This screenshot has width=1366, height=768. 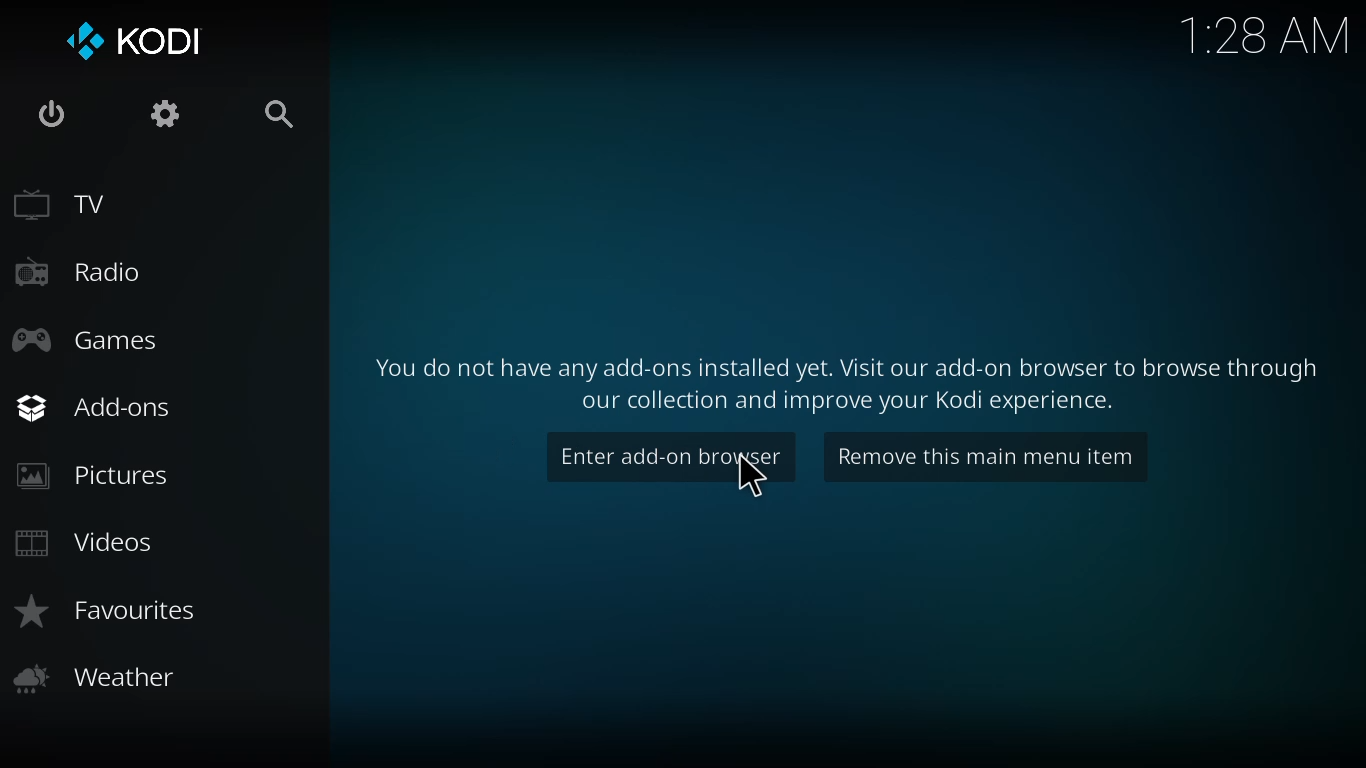 I want to click on pictures, so click(x=96, y=477).